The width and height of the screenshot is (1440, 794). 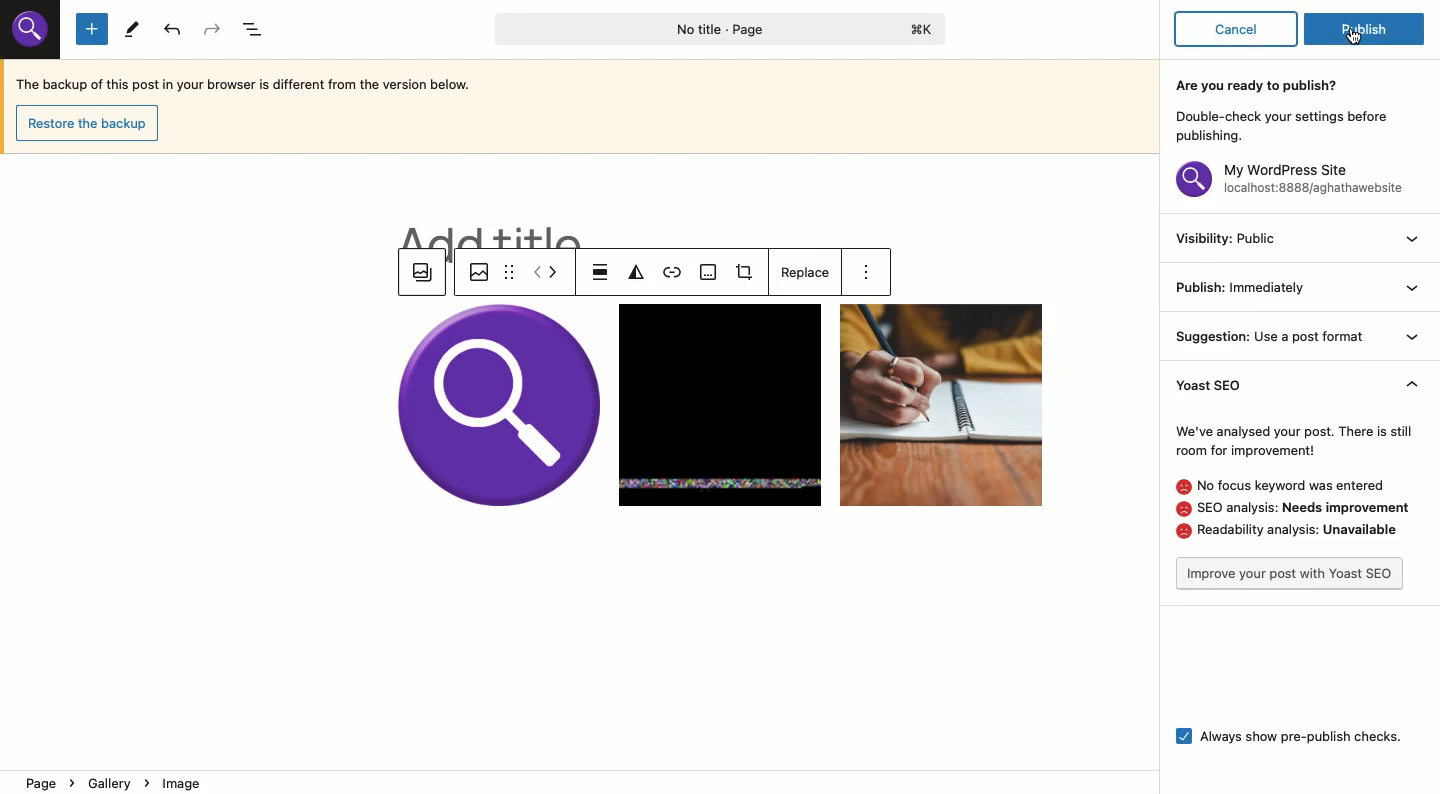 What do you see at coordinates (423, 274) in the screenshot?
I see `Gallery` at bounding box center [423, 274].